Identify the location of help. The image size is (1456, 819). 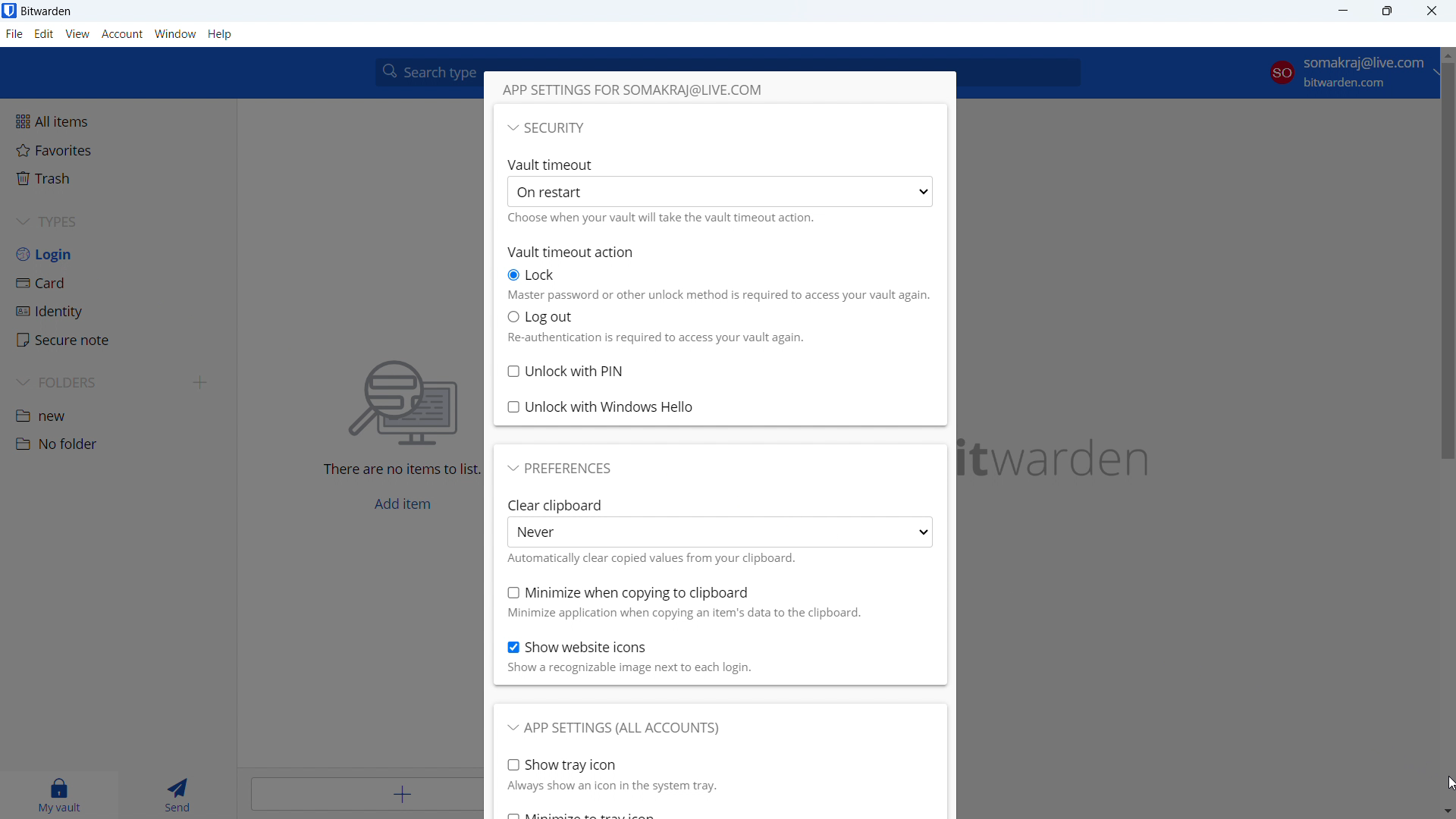
(221, 35).